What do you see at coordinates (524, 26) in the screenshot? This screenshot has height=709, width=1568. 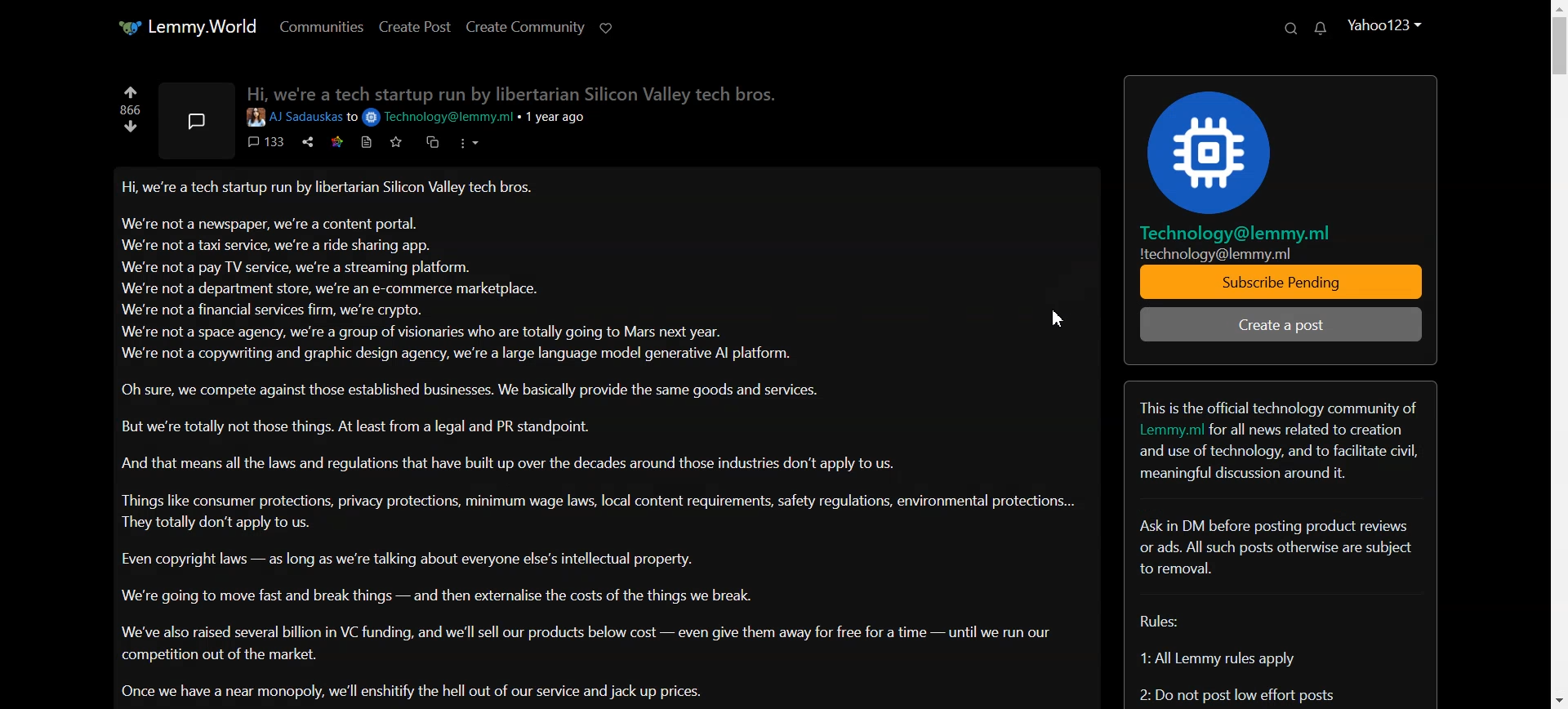 I see `Create Community` at bounding box center [524, 26].